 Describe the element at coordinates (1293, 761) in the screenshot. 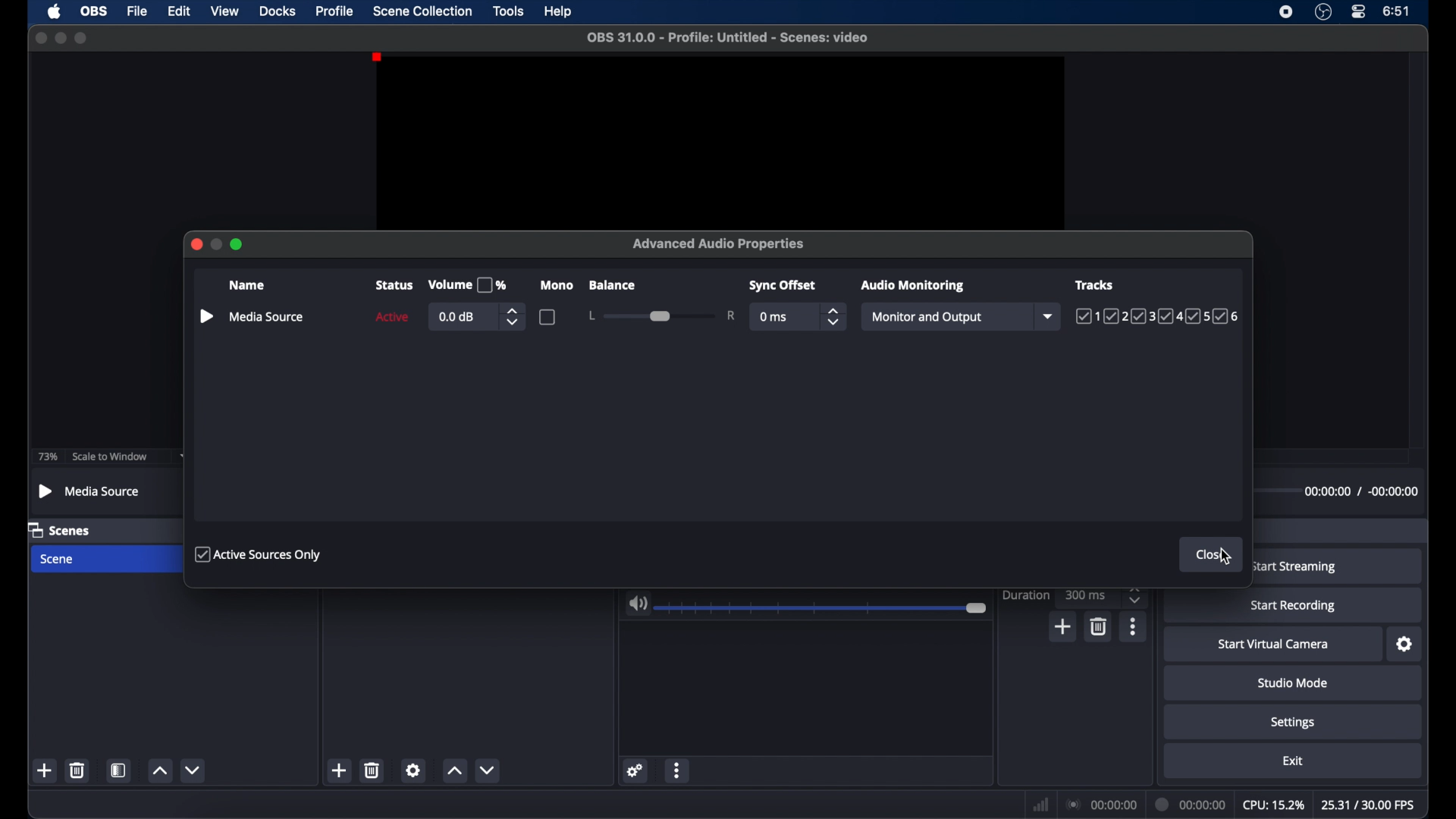

I see `exit` at that location.